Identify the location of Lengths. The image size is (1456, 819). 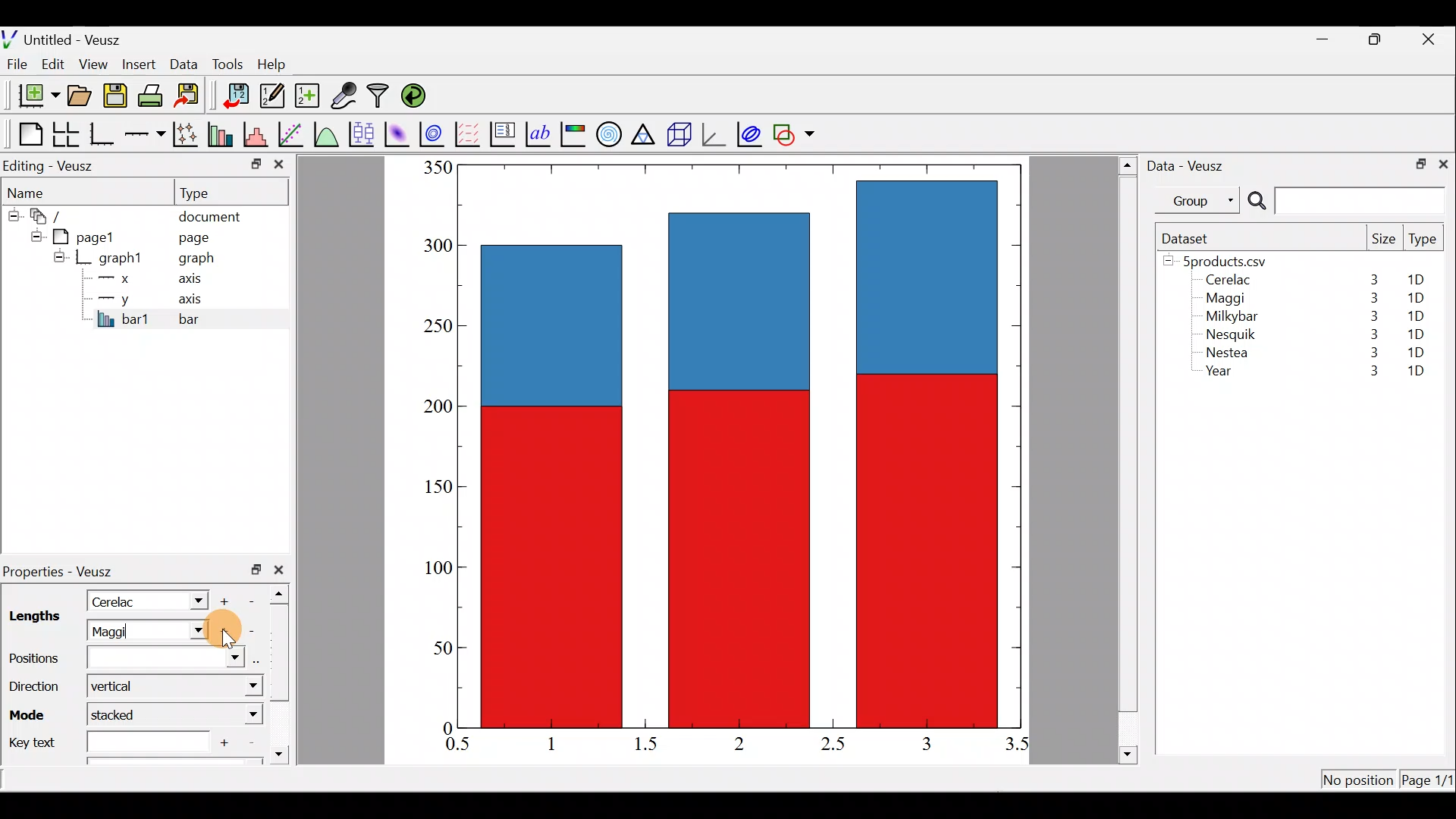
(33, 618).